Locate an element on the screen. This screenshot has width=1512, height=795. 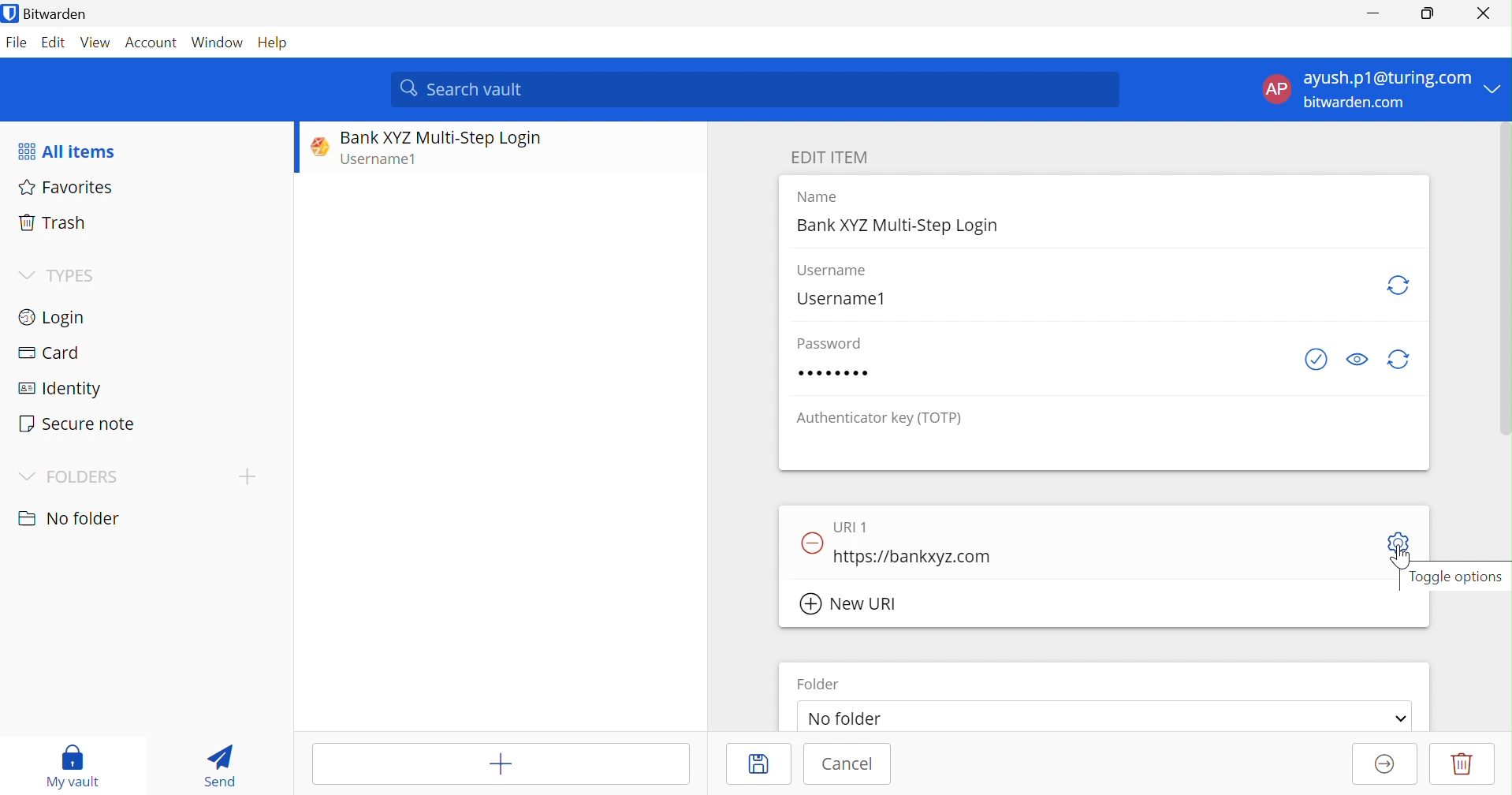
Authenticator key (TOTP) is located at coordinates (881, 420).